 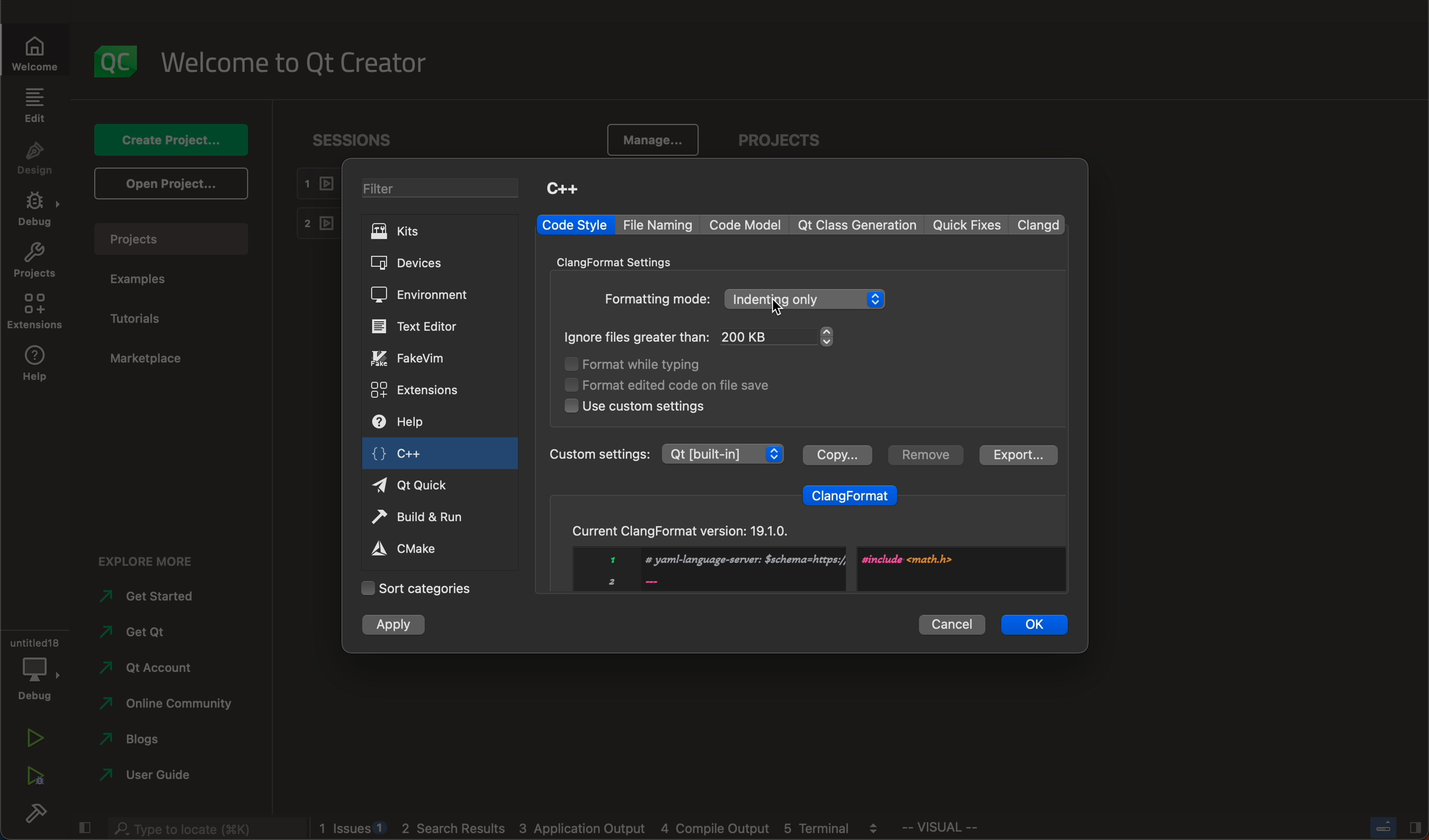 What do you see at coordinates (445, 190) in the screenshot?
I see `filter` at bounding box center [445, 190].